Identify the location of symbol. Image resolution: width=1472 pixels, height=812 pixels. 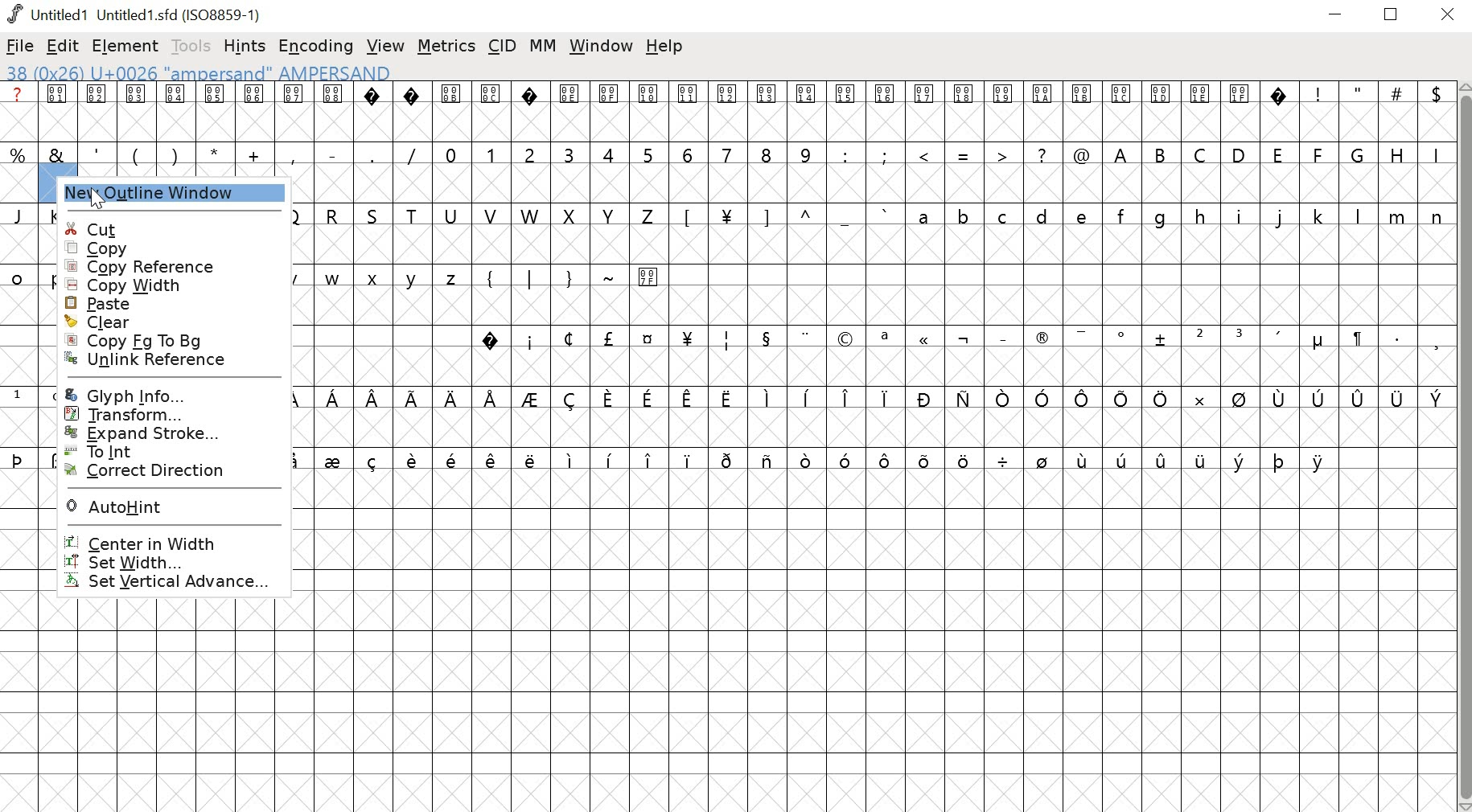
(1043, 397).